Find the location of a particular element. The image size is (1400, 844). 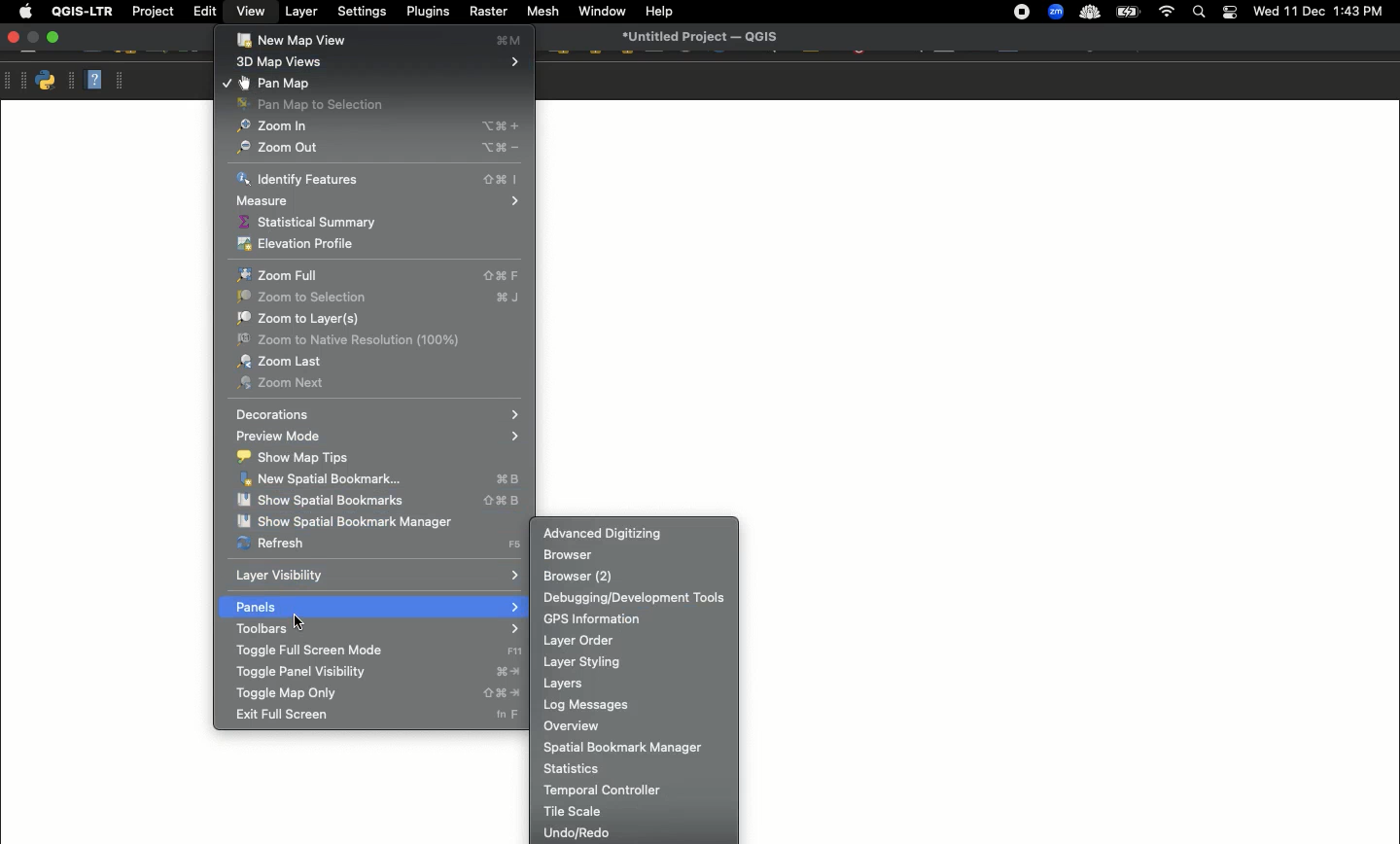

Edit is located at coordinates (205, 11).